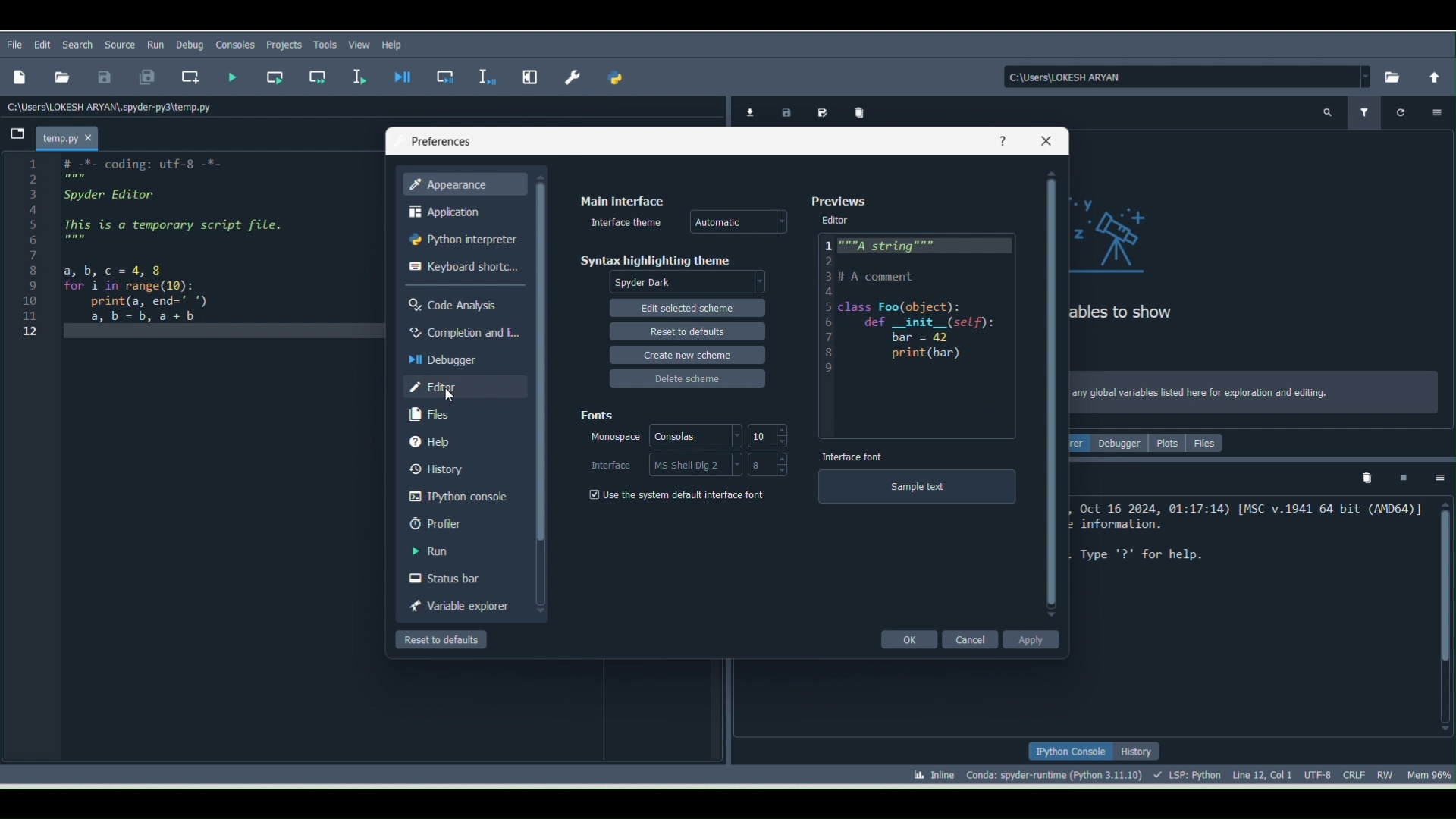 This screenshot has width=1456, height=819. Describe the element at coordinates (595, 413) in the screenshot. I see `Fonts` at that location.